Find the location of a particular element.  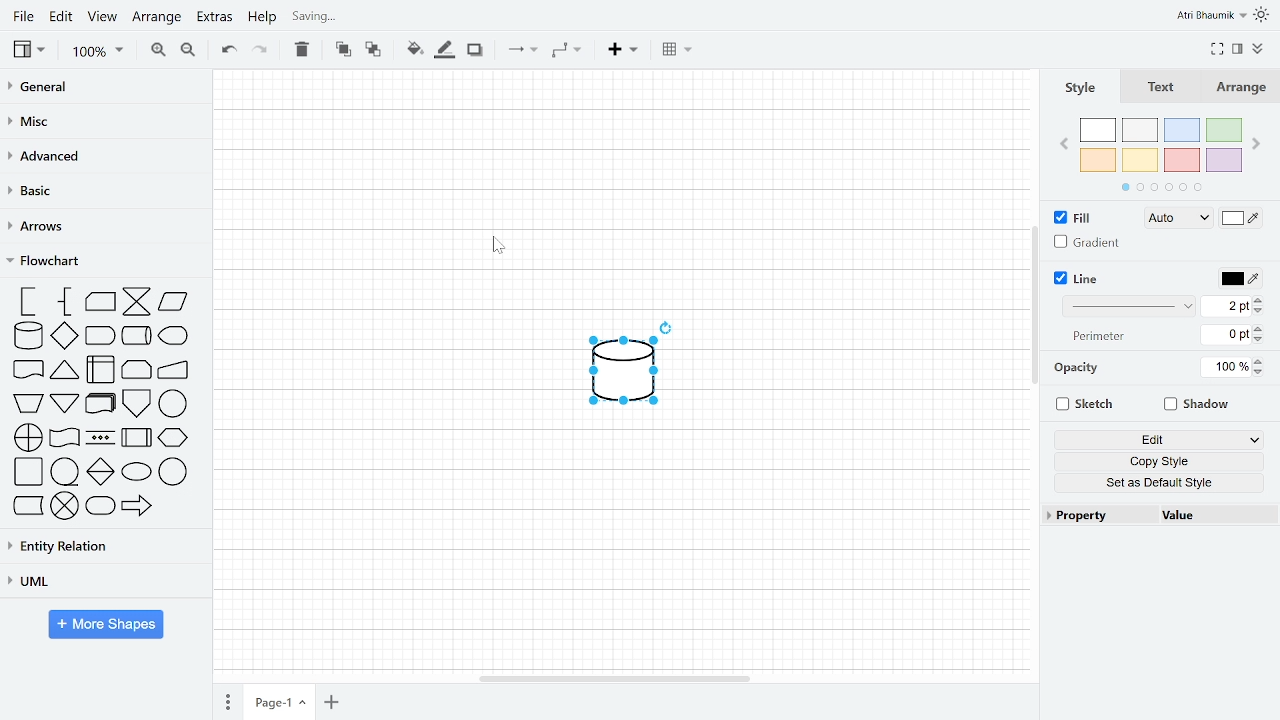

View is located at coordinates (103, 19).